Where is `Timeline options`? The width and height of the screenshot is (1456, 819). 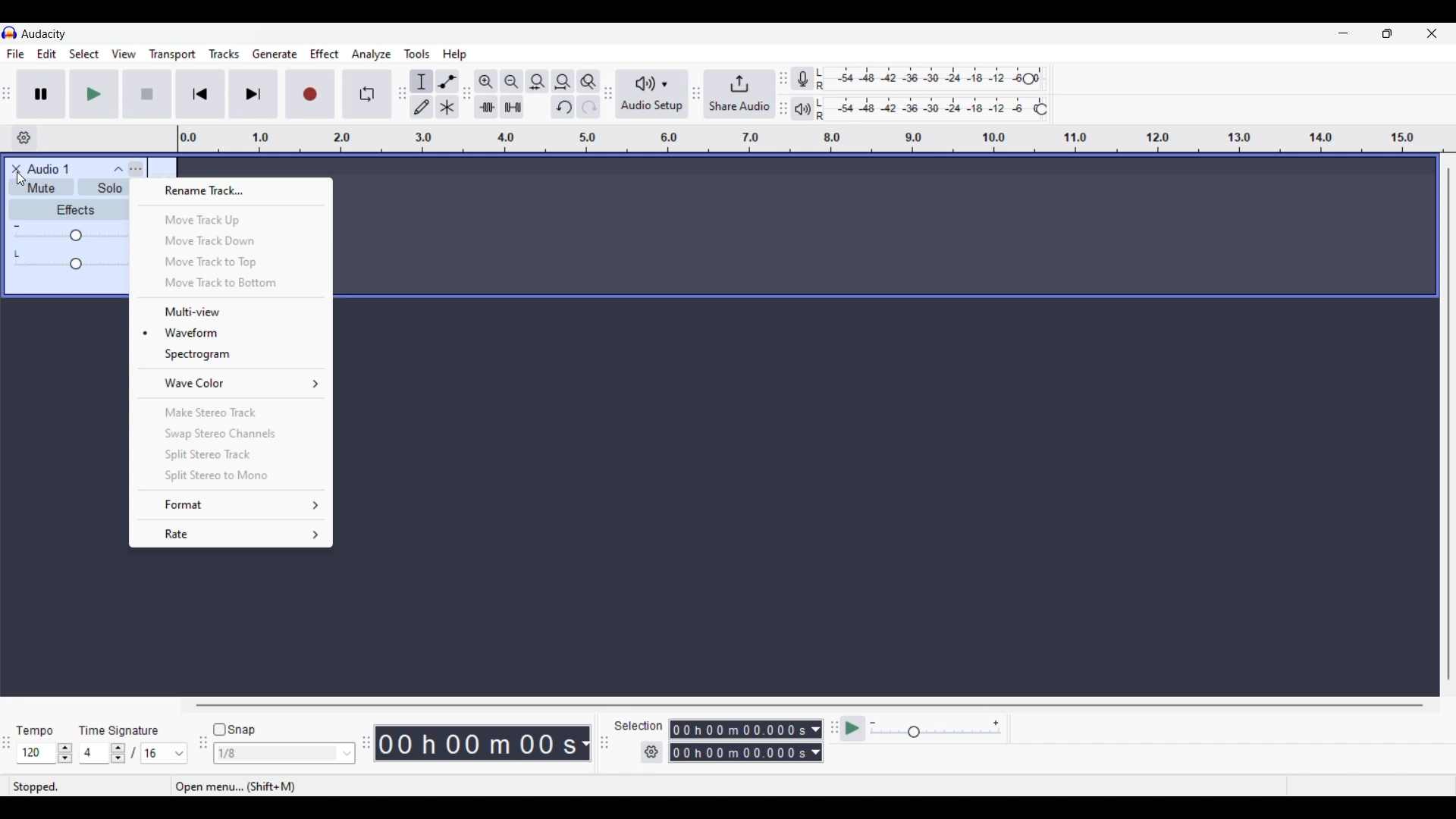 Timeline options is located at coordinates (24, 138).